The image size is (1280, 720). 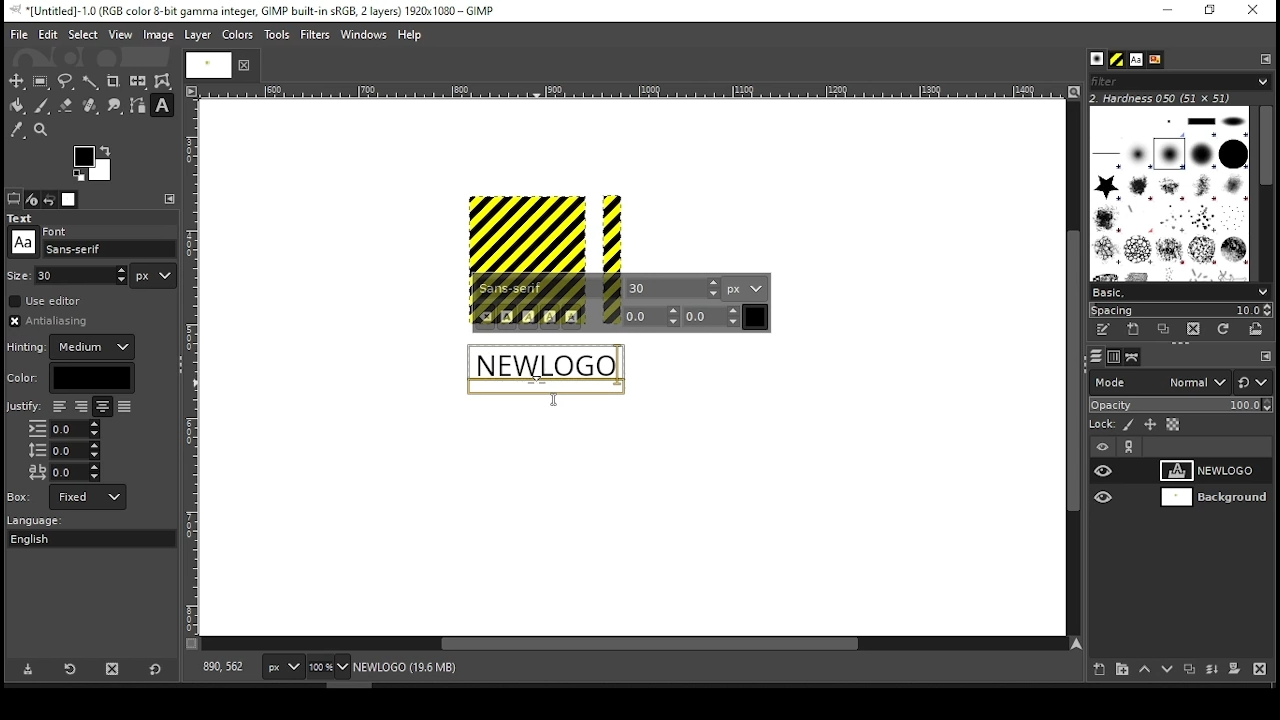 I want to click on , so click(x=544, y=402).